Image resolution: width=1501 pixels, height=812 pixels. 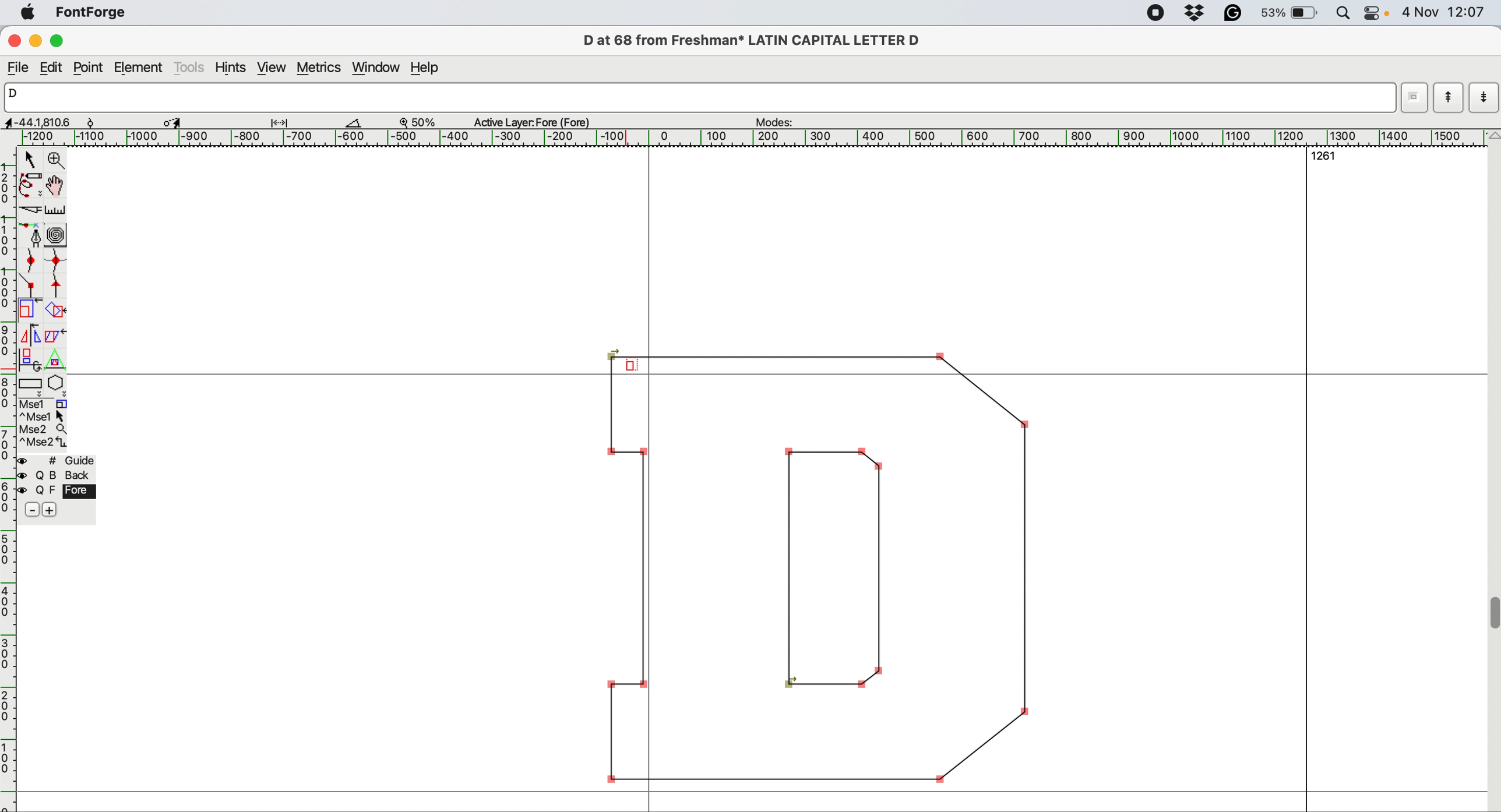 I want to click on screen recorder, so click(x=1158, y=15).